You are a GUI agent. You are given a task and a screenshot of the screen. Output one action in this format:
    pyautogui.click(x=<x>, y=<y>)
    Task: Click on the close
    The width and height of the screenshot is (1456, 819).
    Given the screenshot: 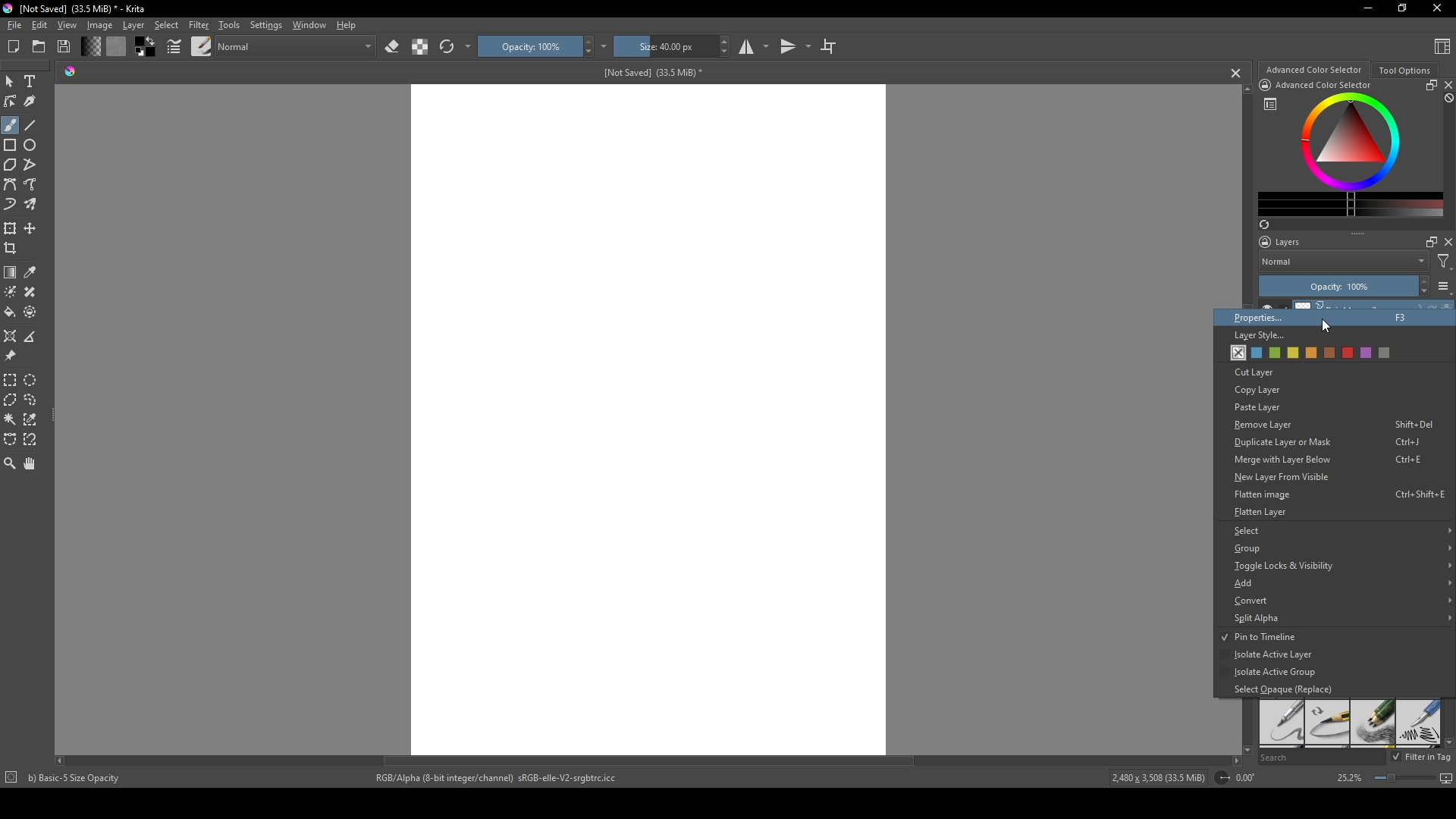 What is the action you would take?
    pyautogui.click(x=1447, y=85)
    